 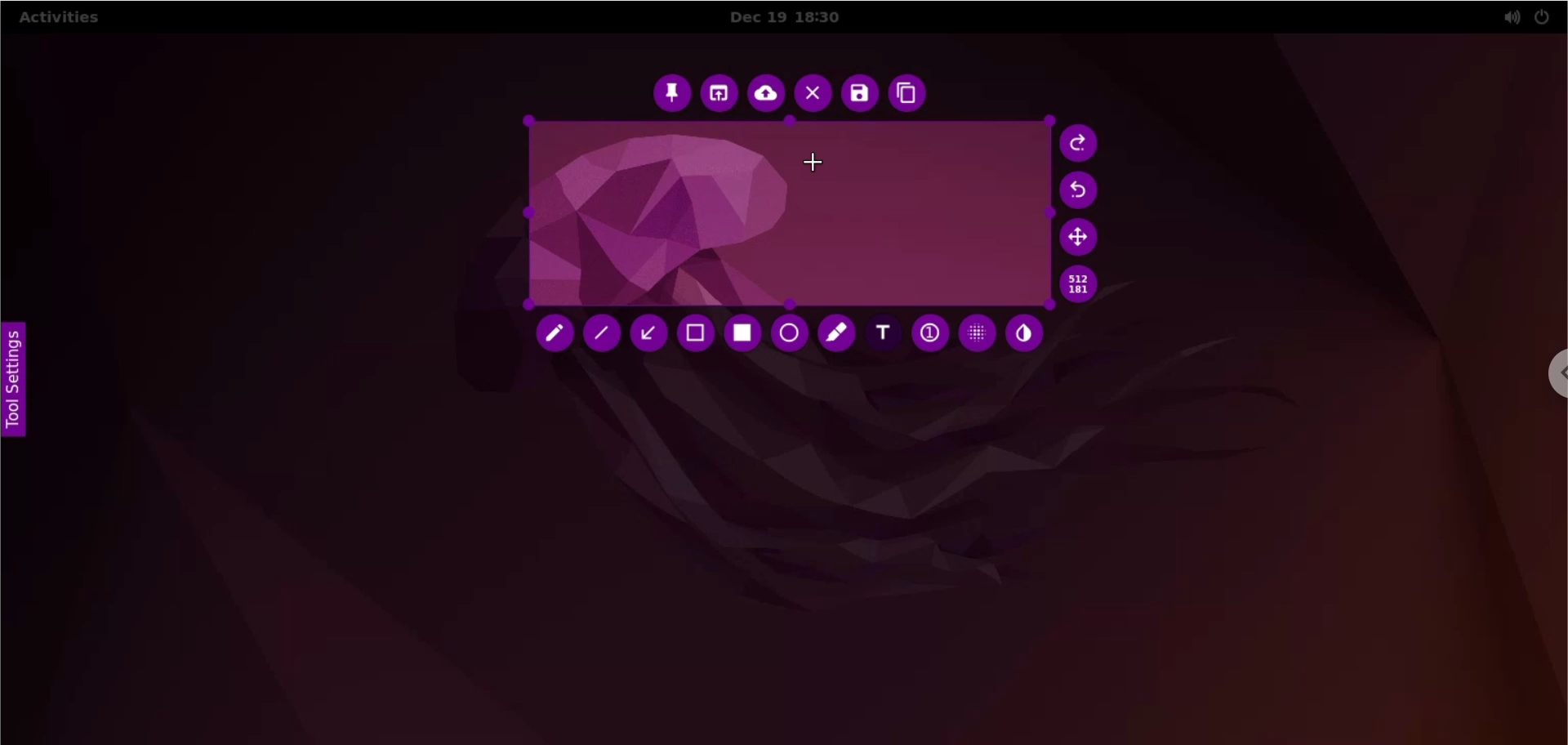 I want to click on save, so click(x=858, y=94).